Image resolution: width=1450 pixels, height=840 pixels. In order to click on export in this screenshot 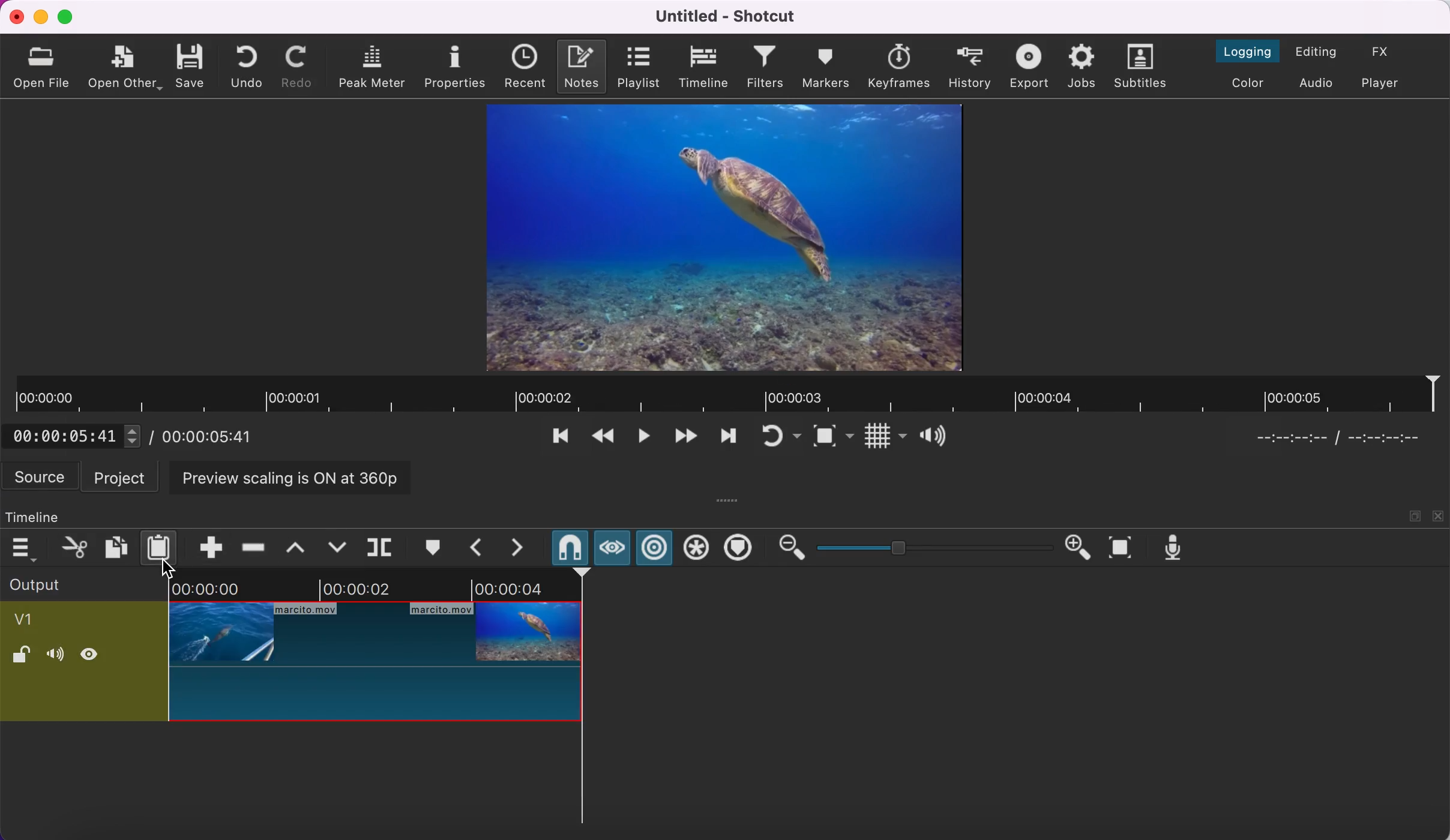, I will do `click(1027, 67)`.